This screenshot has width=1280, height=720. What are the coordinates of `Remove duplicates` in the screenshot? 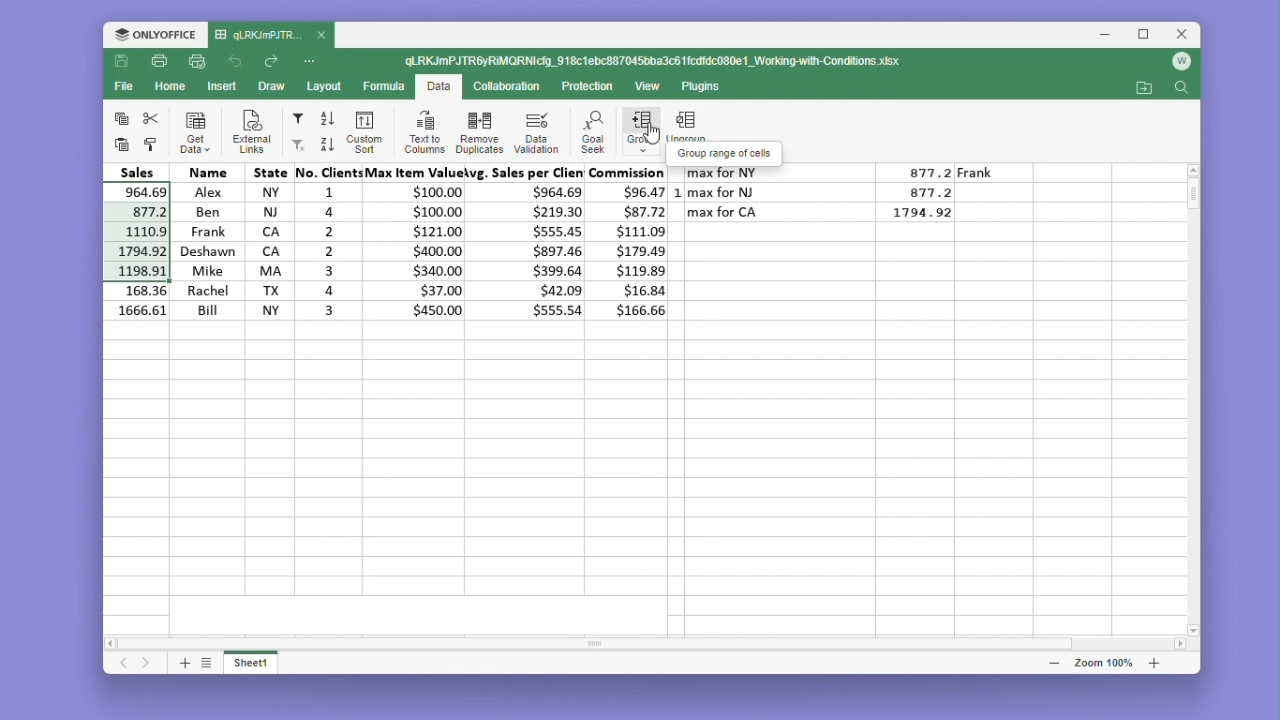 It's located at (479, 131).